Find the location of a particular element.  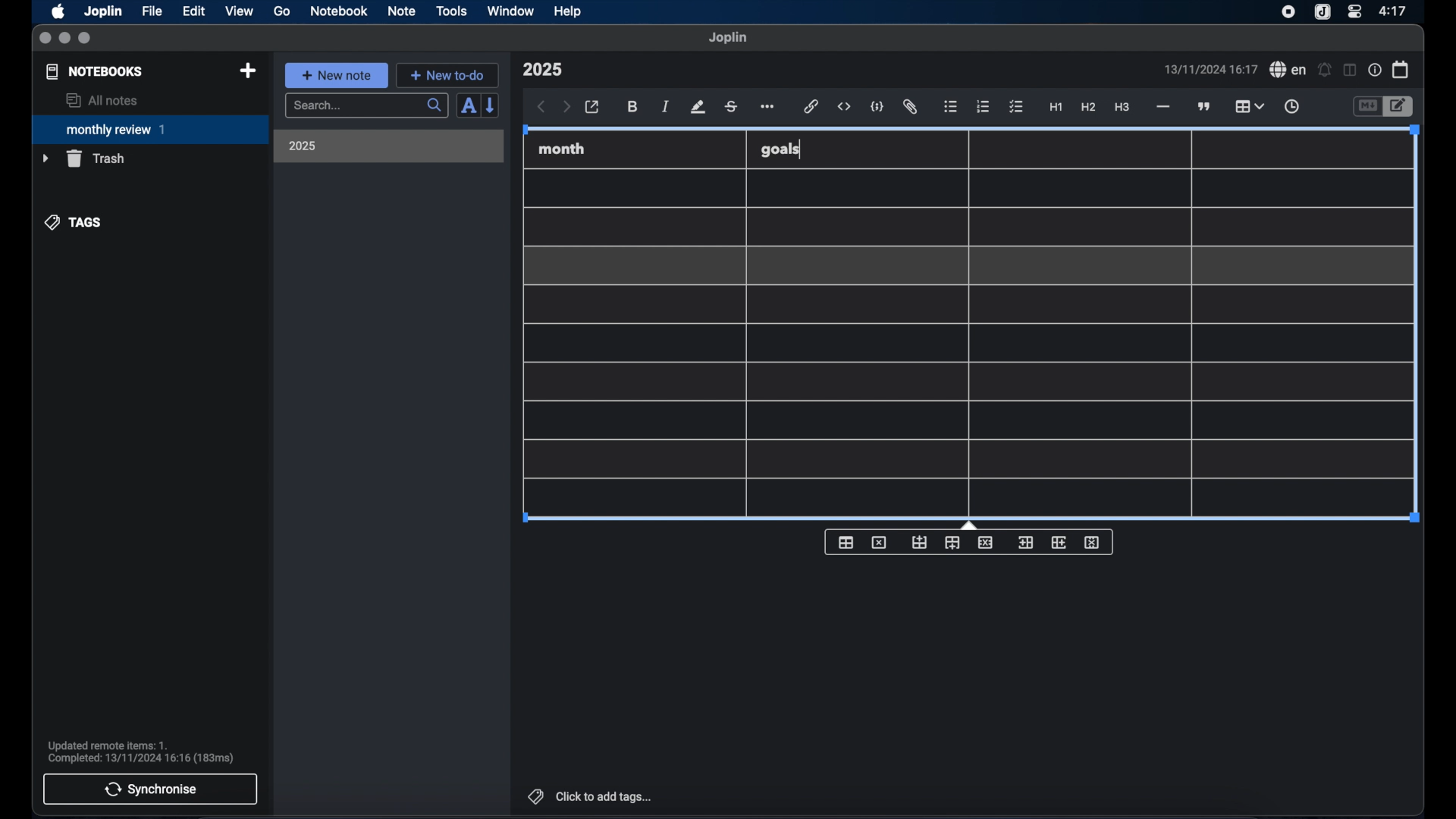

click to add tags is located at coordinates (591, 796).